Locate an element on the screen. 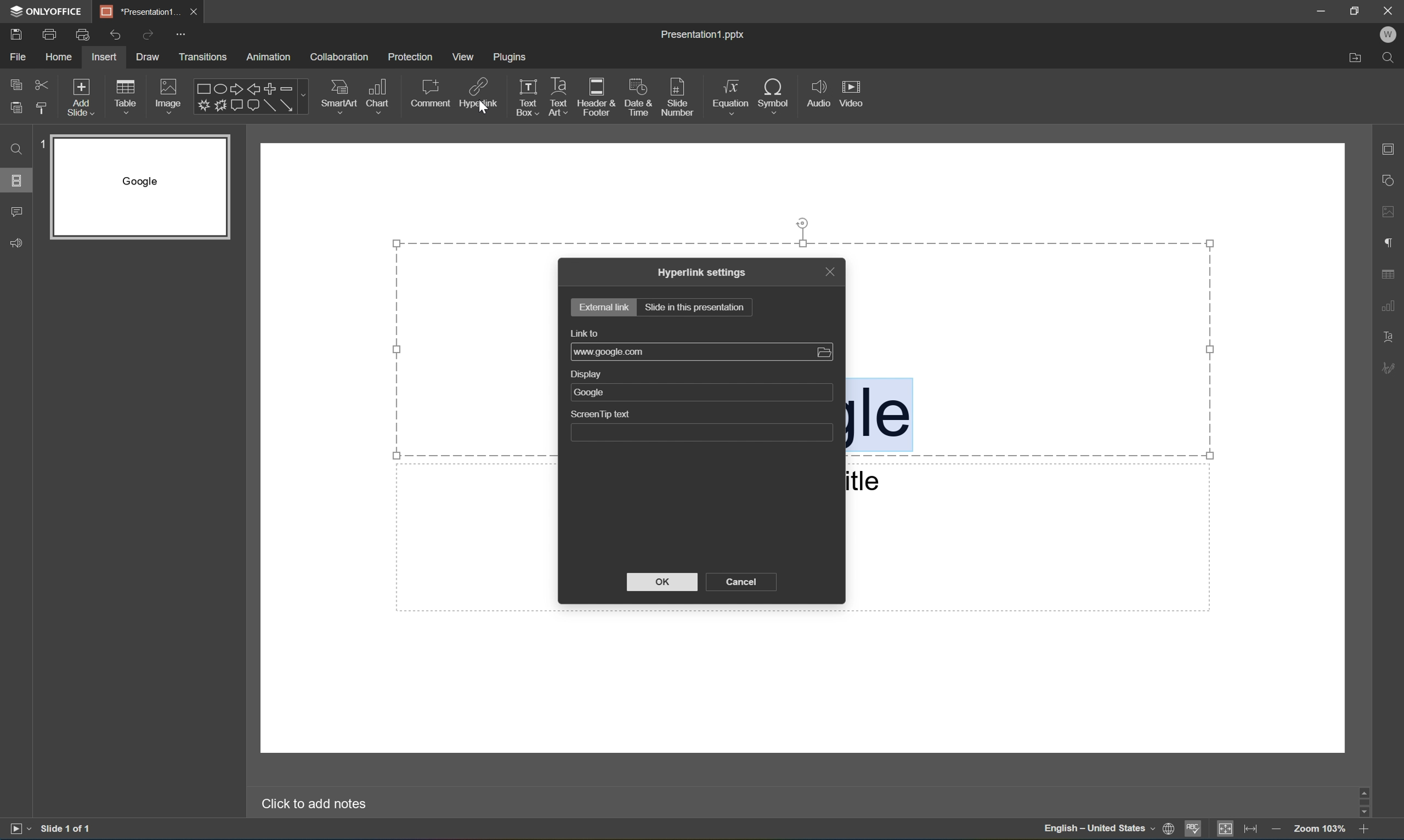 The image size is (1404, 840). English - United States is located at coordinates (1097, 829).